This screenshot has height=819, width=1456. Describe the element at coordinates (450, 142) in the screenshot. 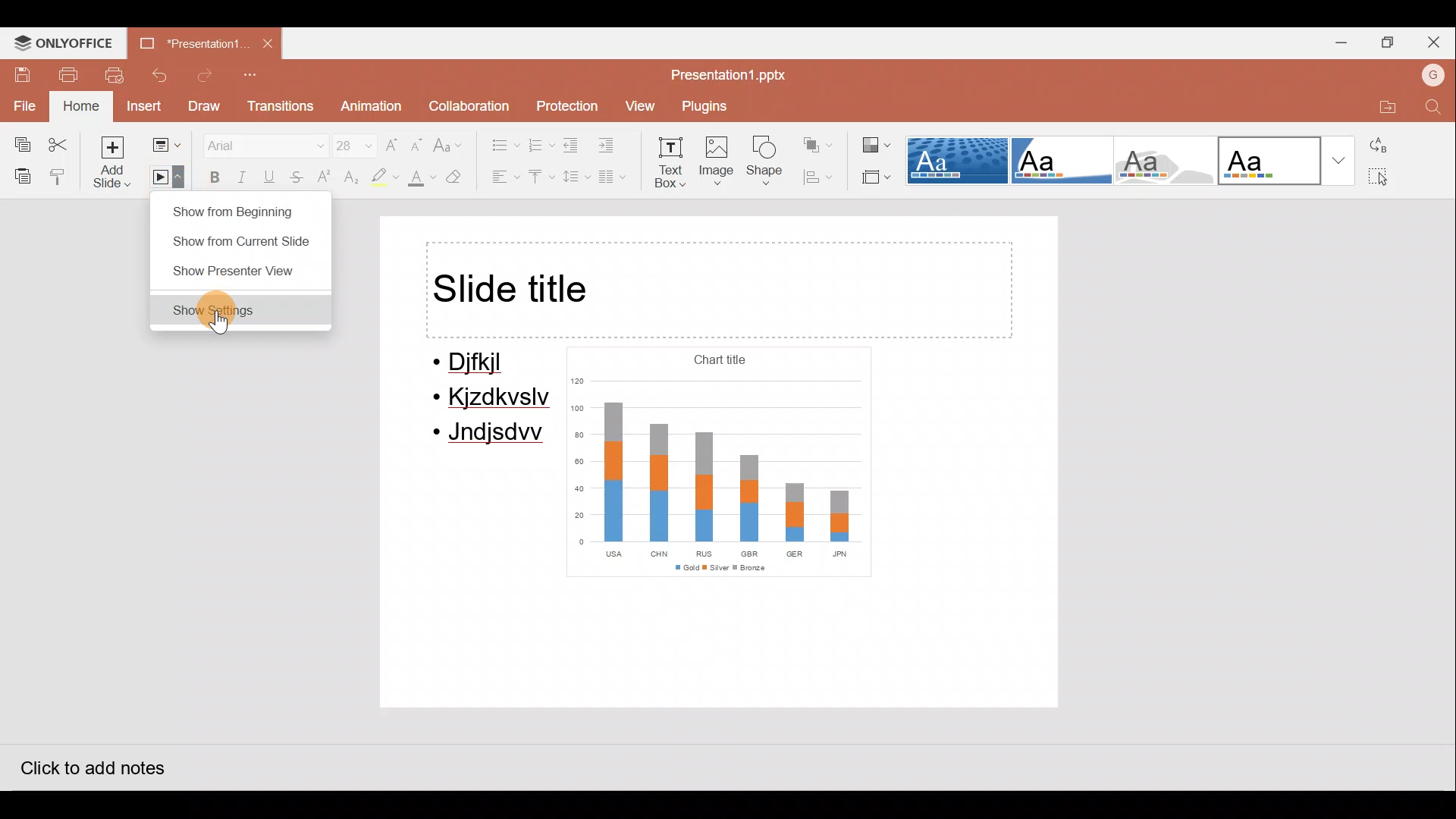

I see `Change case` at that location.